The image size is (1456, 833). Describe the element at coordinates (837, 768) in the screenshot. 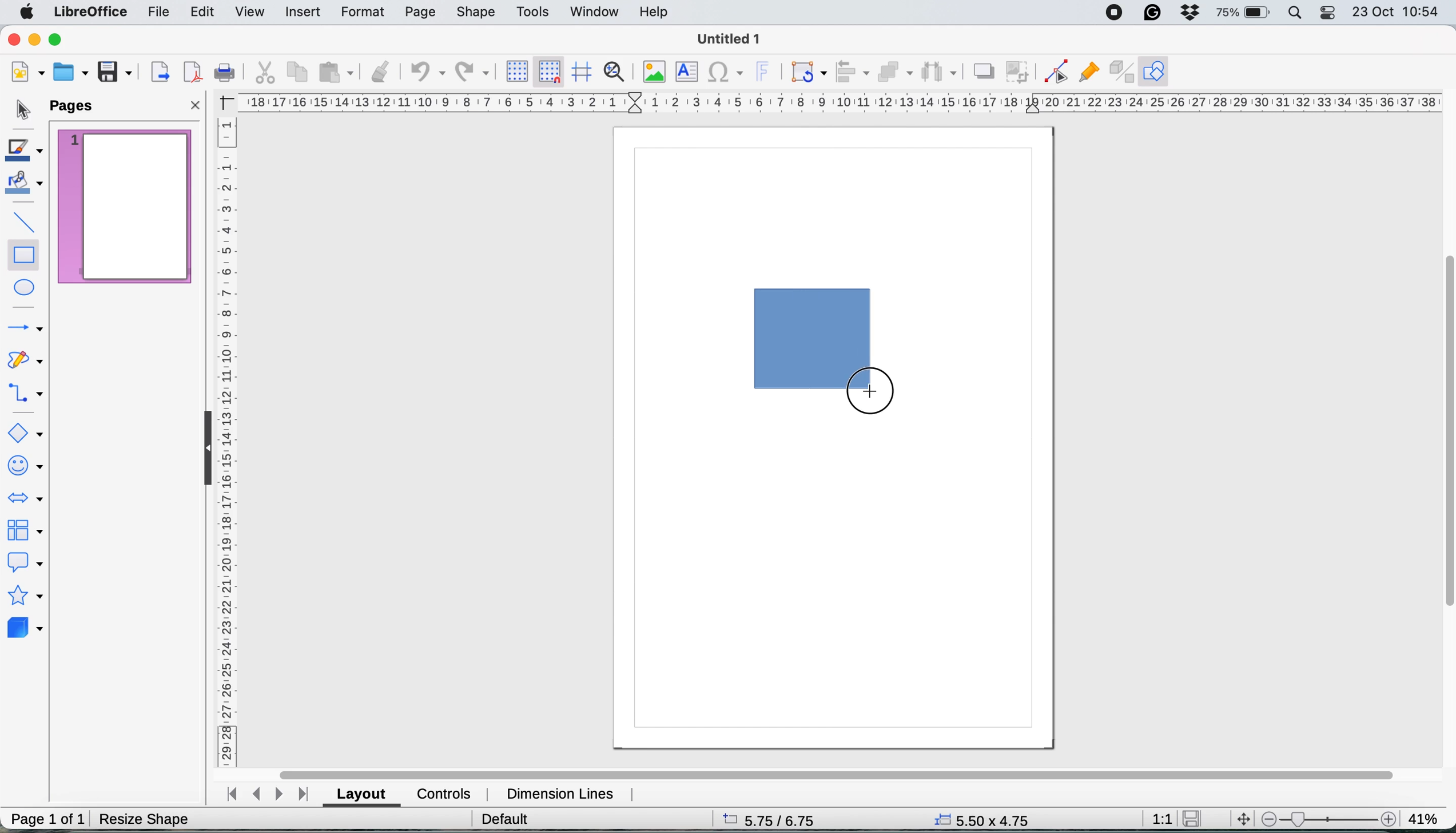

I see `horizontal scroll bar` at that location.